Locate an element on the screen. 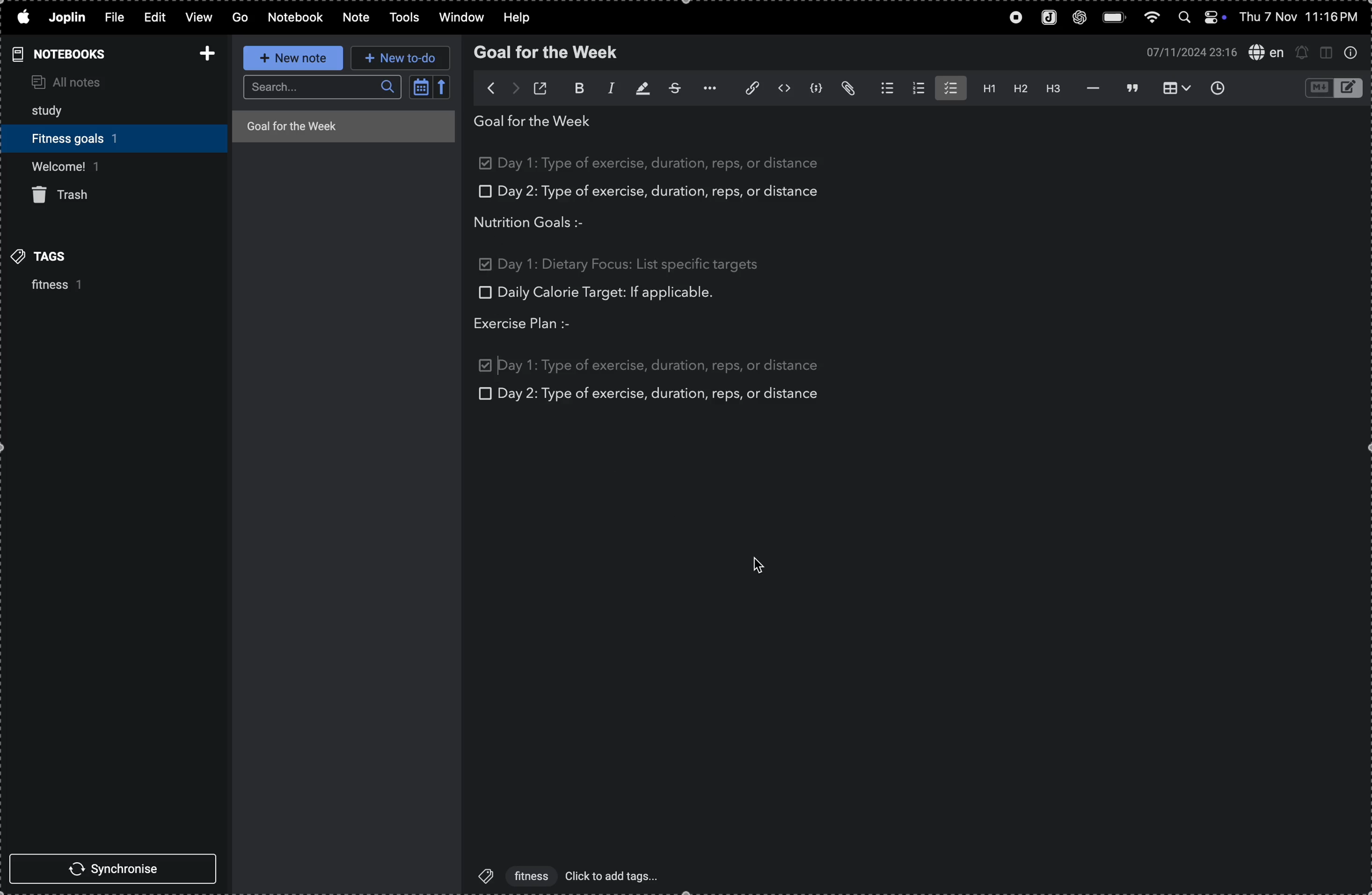  bullet list is located at coordinates (882, 88).